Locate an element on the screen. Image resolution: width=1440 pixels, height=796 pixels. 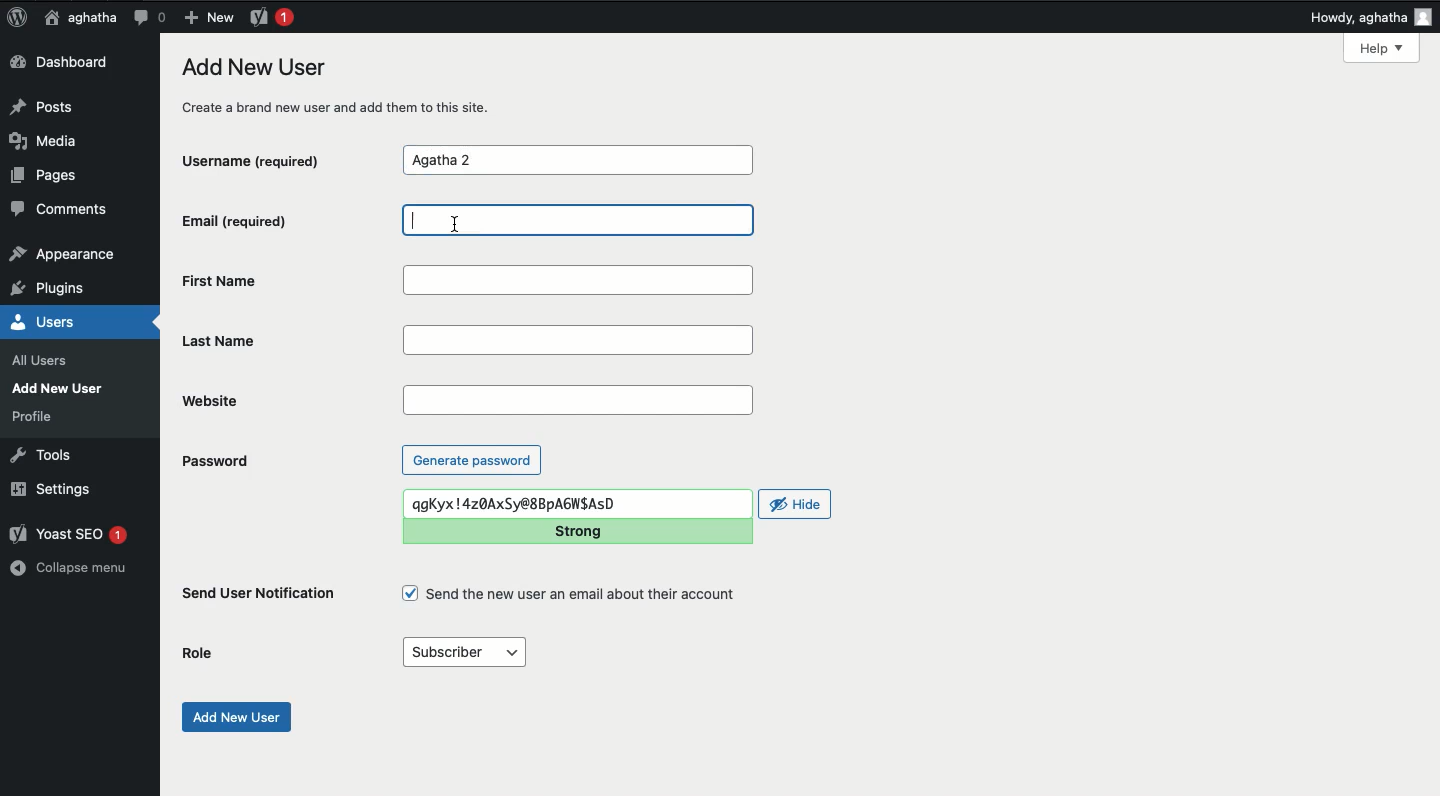
Agatha 2 is located at coordinates (577, 160).